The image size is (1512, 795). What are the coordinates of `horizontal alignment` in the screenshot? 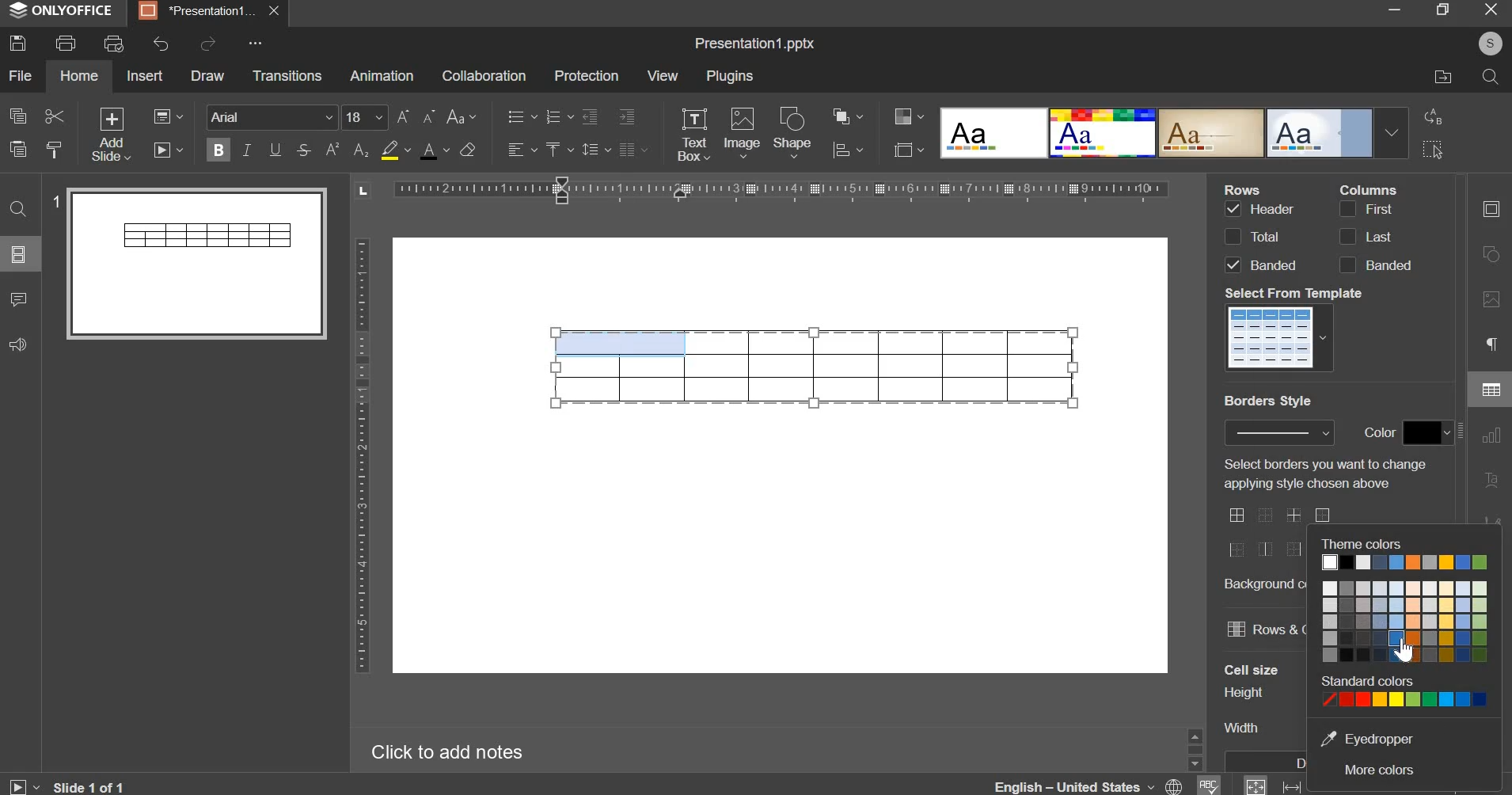 It's located at (521, 150).